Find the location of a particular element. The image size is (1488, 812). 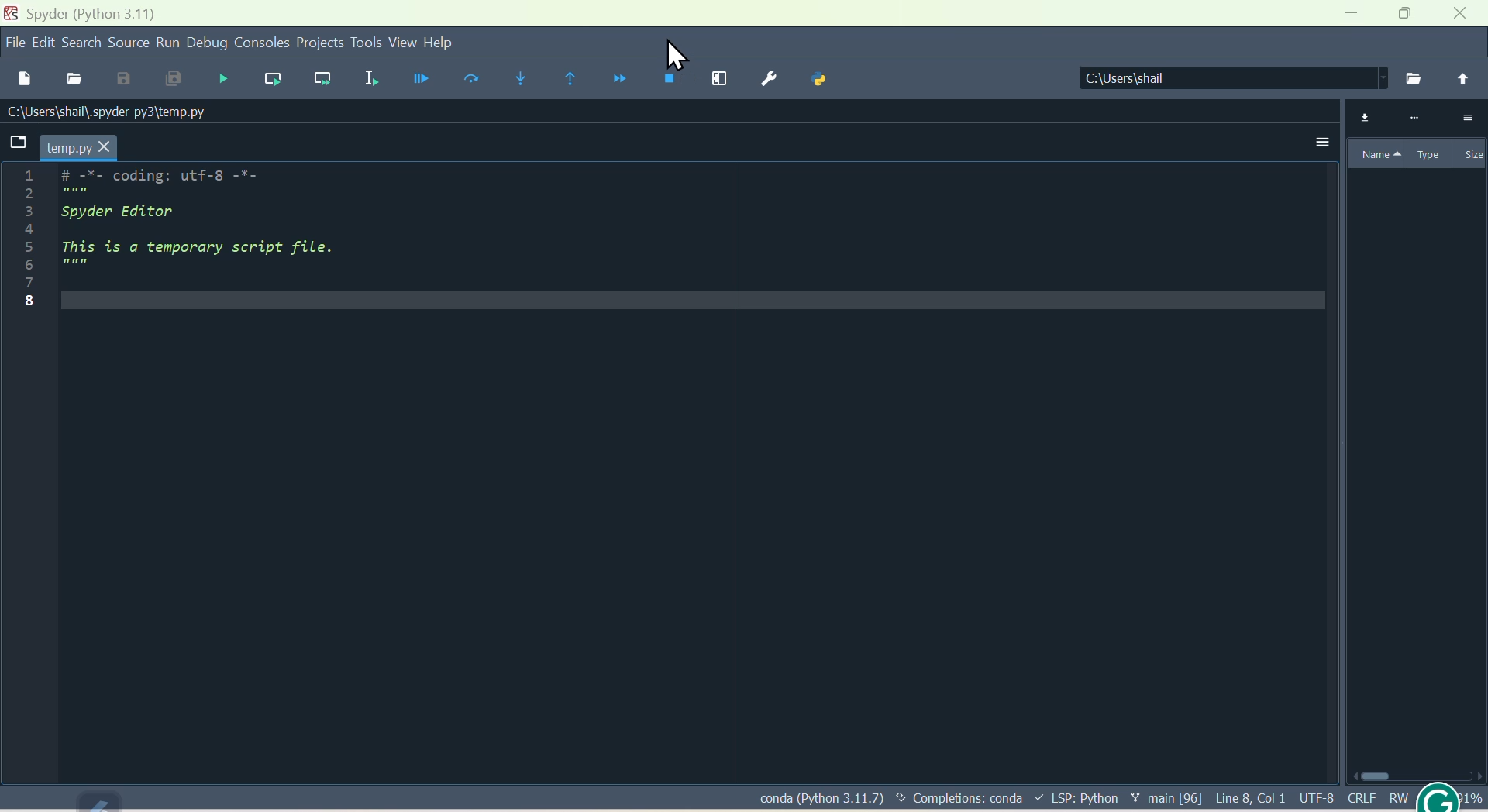

view is located at coordinates (405, 43).